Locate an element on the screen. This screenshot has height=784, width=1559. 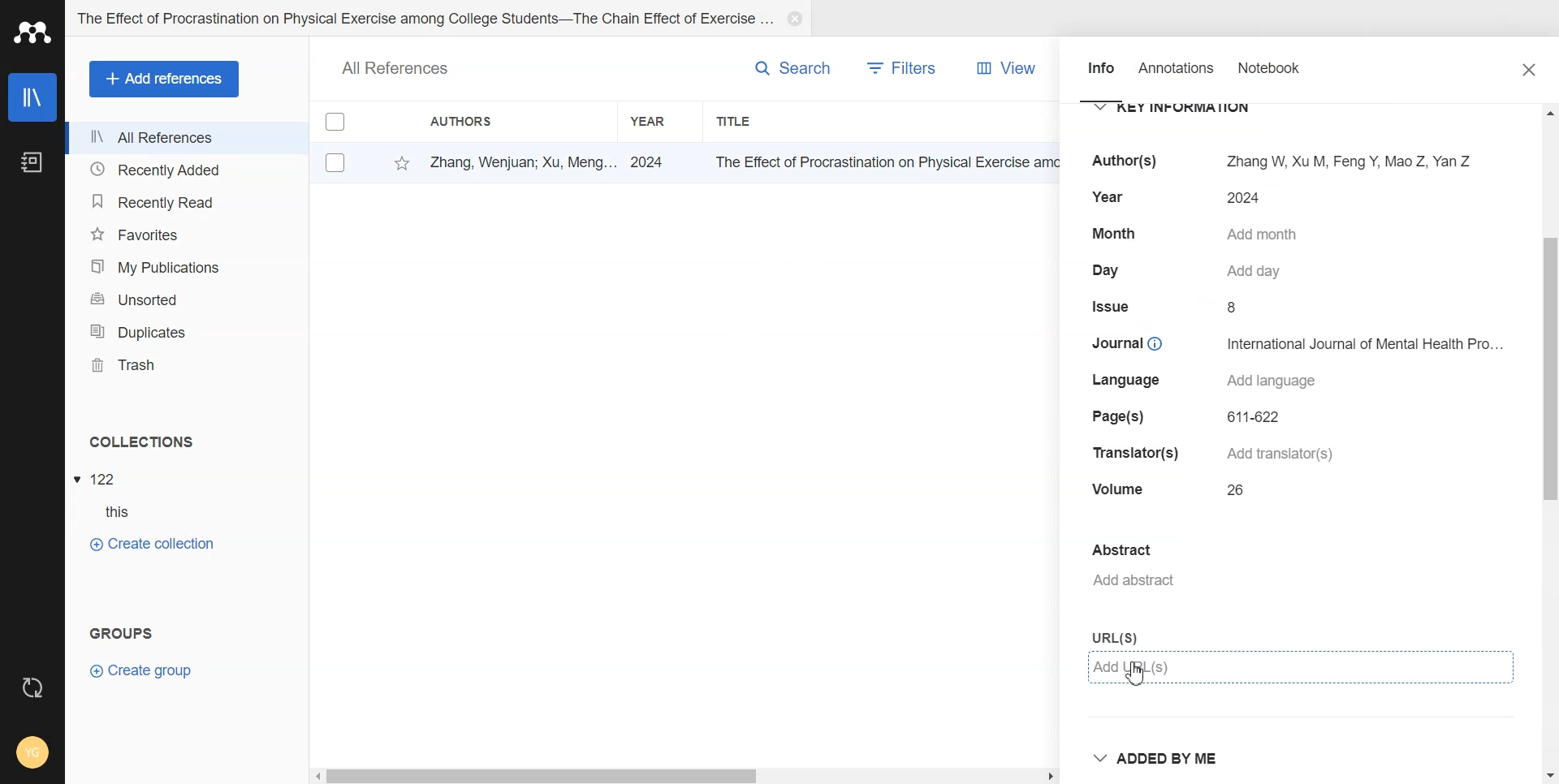
Title is located at coordinates (785, 121).